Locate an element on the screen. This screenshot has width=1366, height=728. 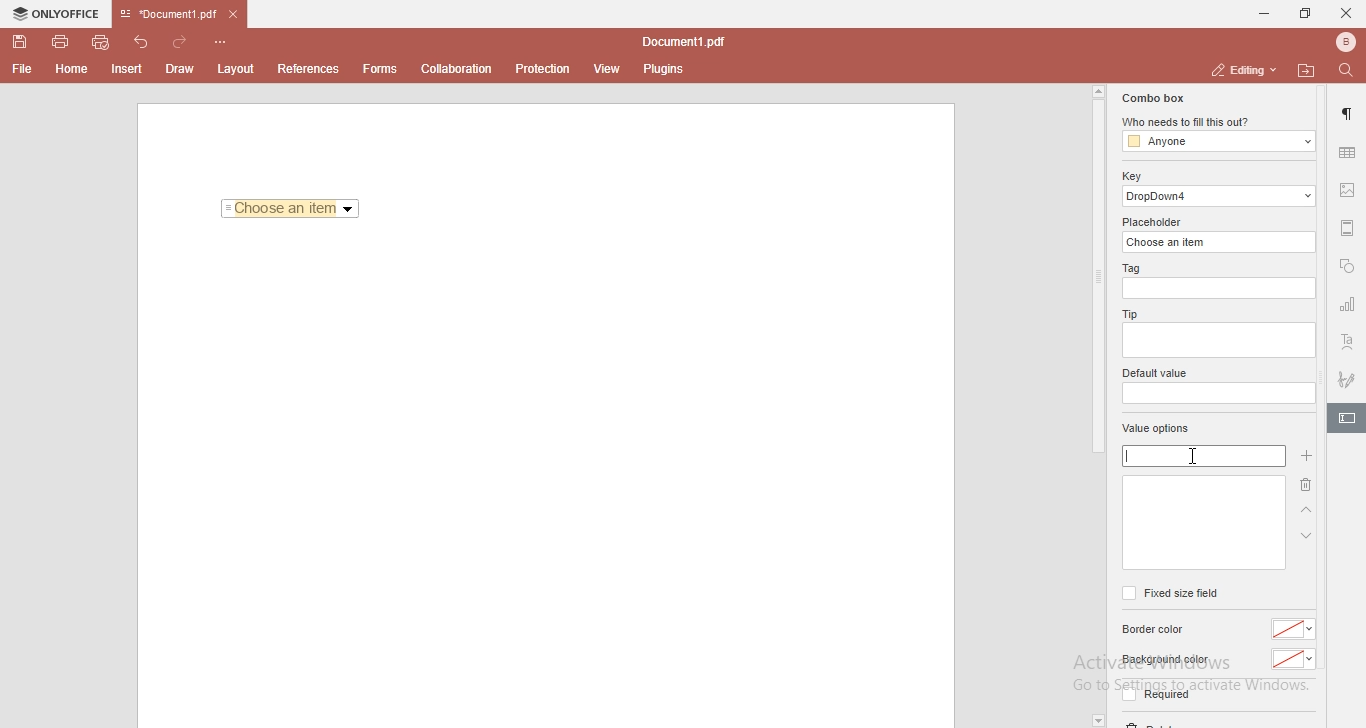
quick print is located at coordinates (102, 41).